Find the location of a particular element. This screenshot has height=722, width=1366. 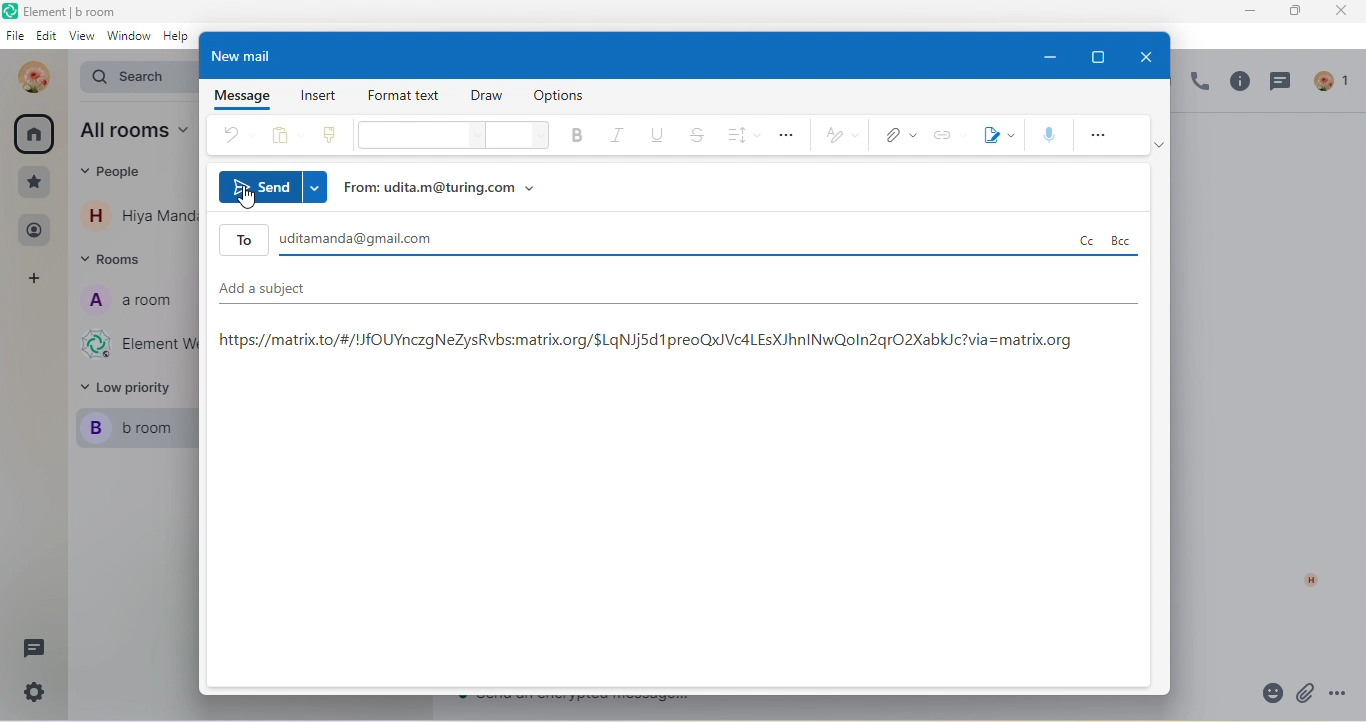

speech is located at coordinates (1046, 135).